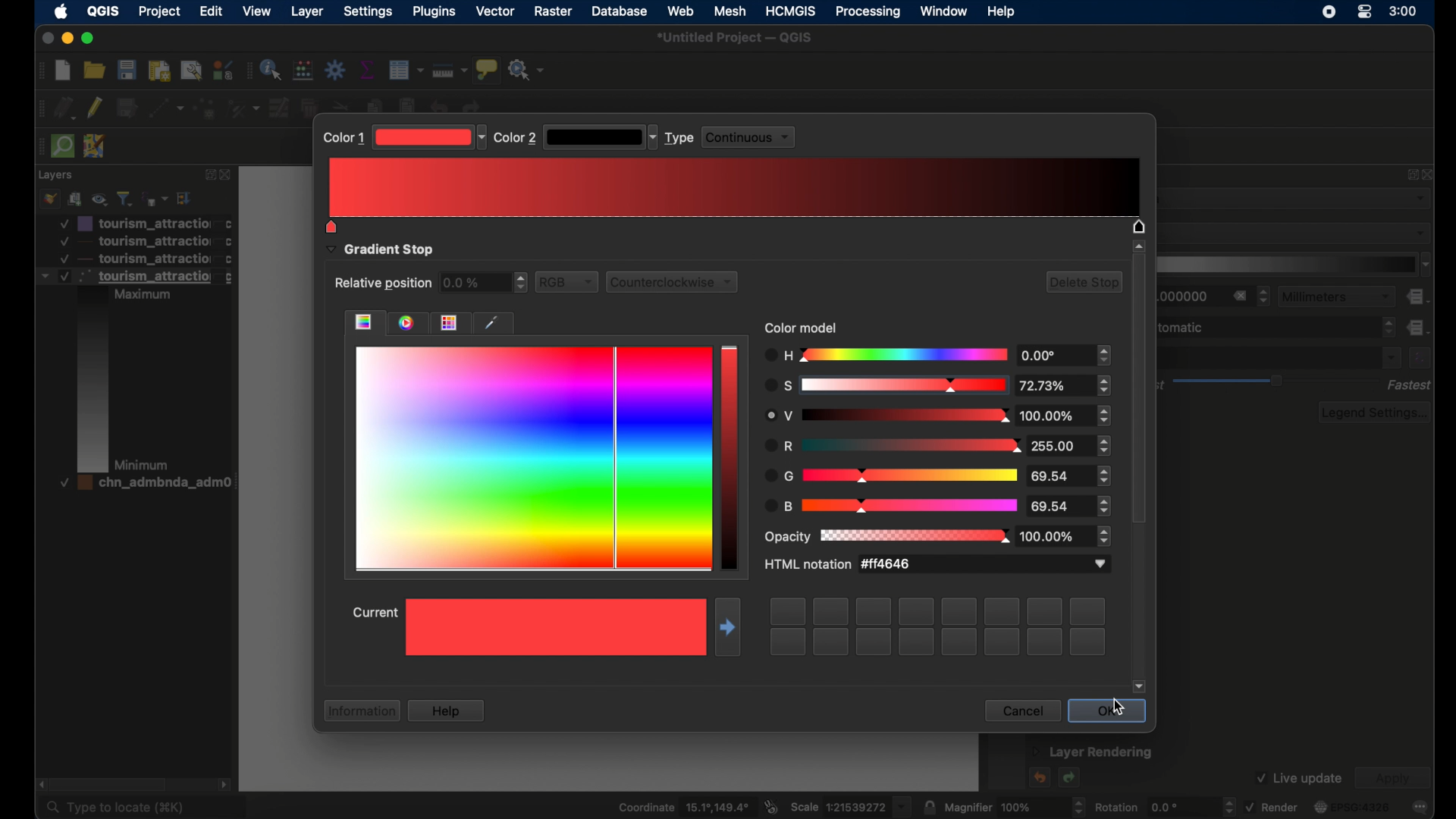 This screenshot has height=819, width=1456. I want to click on scale, so click(851, 806).